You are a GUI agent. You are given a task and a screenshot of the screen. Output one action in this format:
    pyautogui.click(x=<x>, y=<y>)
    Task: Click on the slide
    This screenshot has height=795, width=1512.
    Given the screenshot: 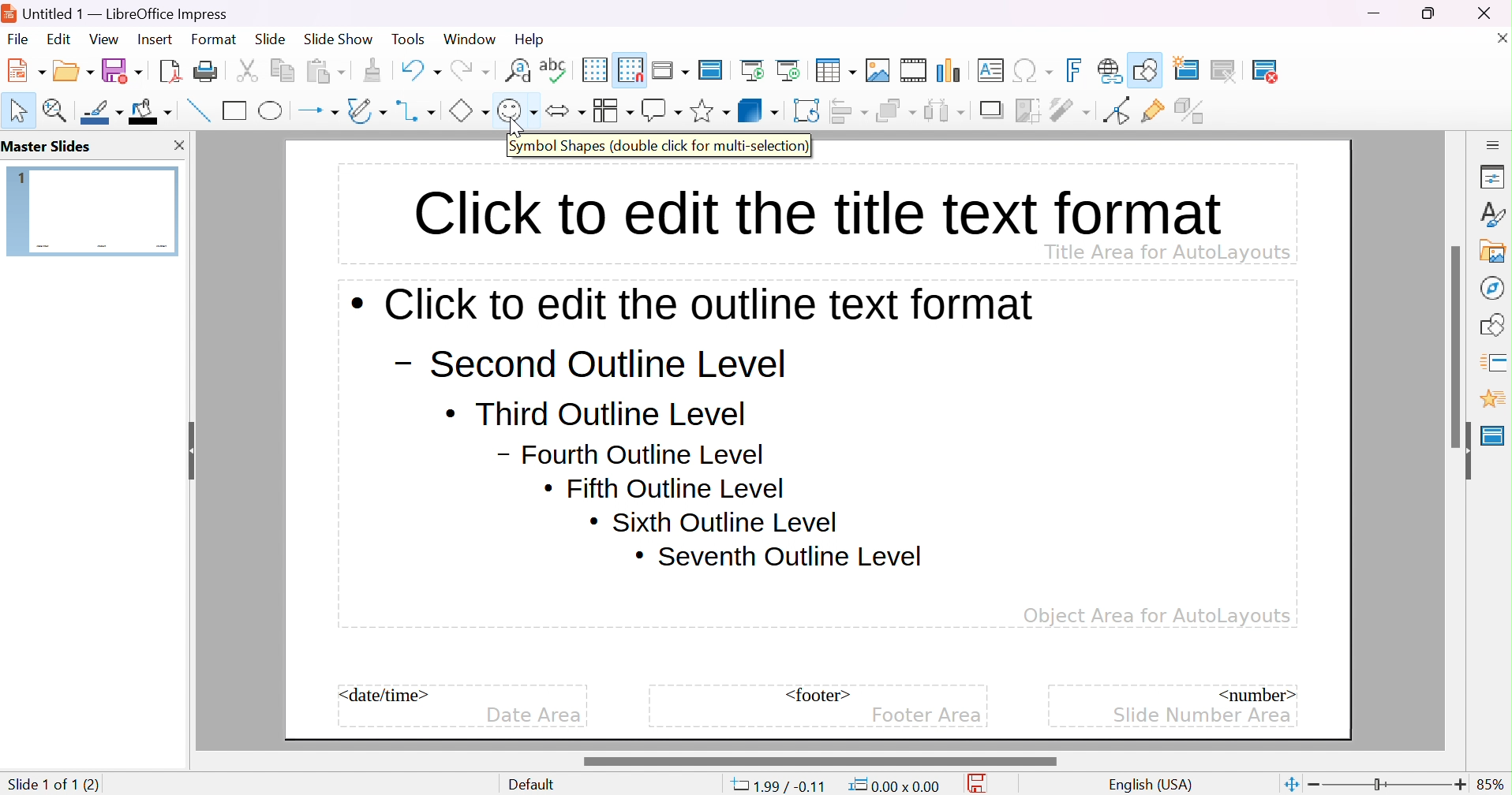 What is the action you would take?
    pyautogui.click(x=271, y=39)
    